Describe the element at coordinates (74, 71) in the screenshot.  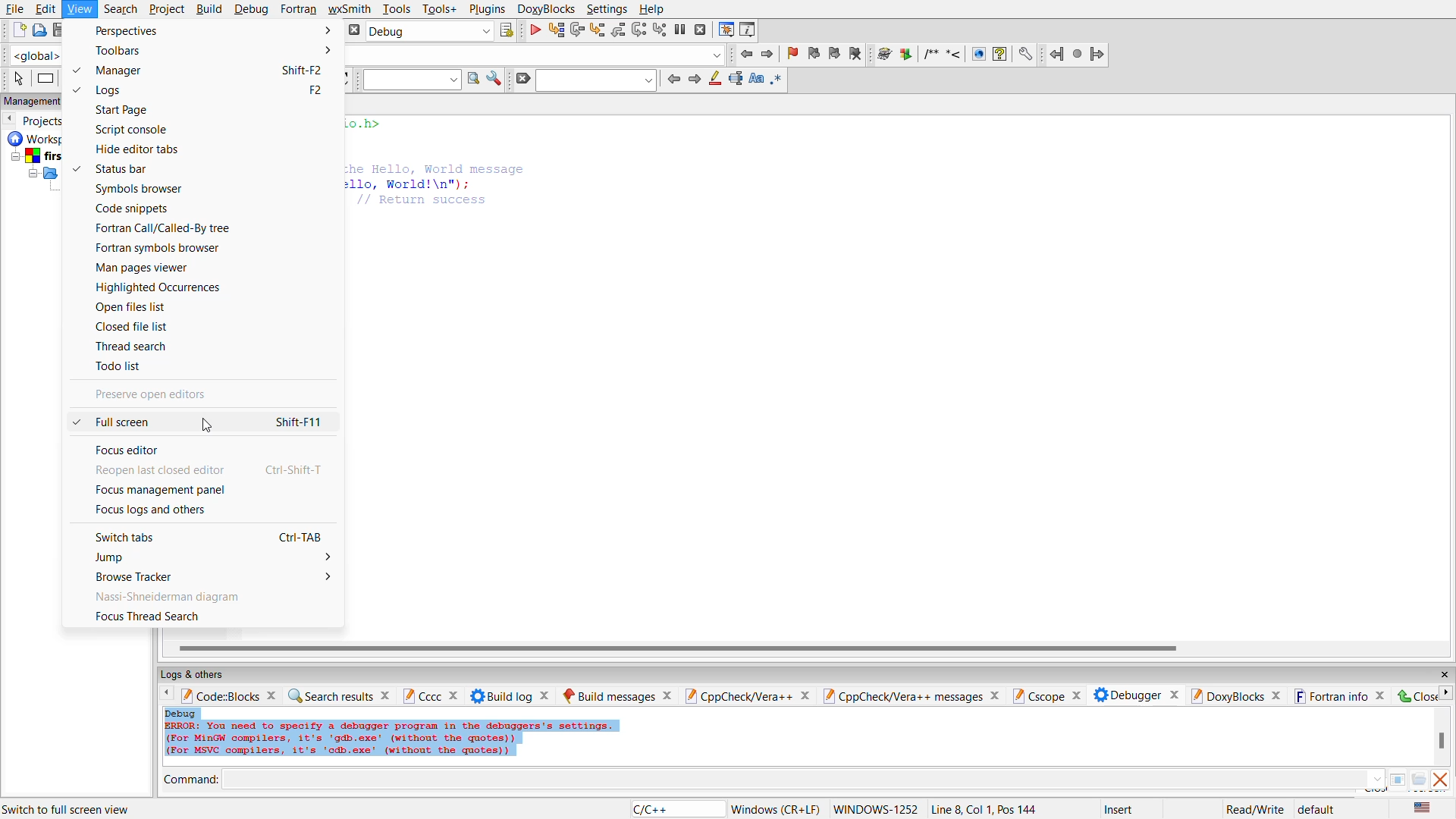
I see `check` at that location.